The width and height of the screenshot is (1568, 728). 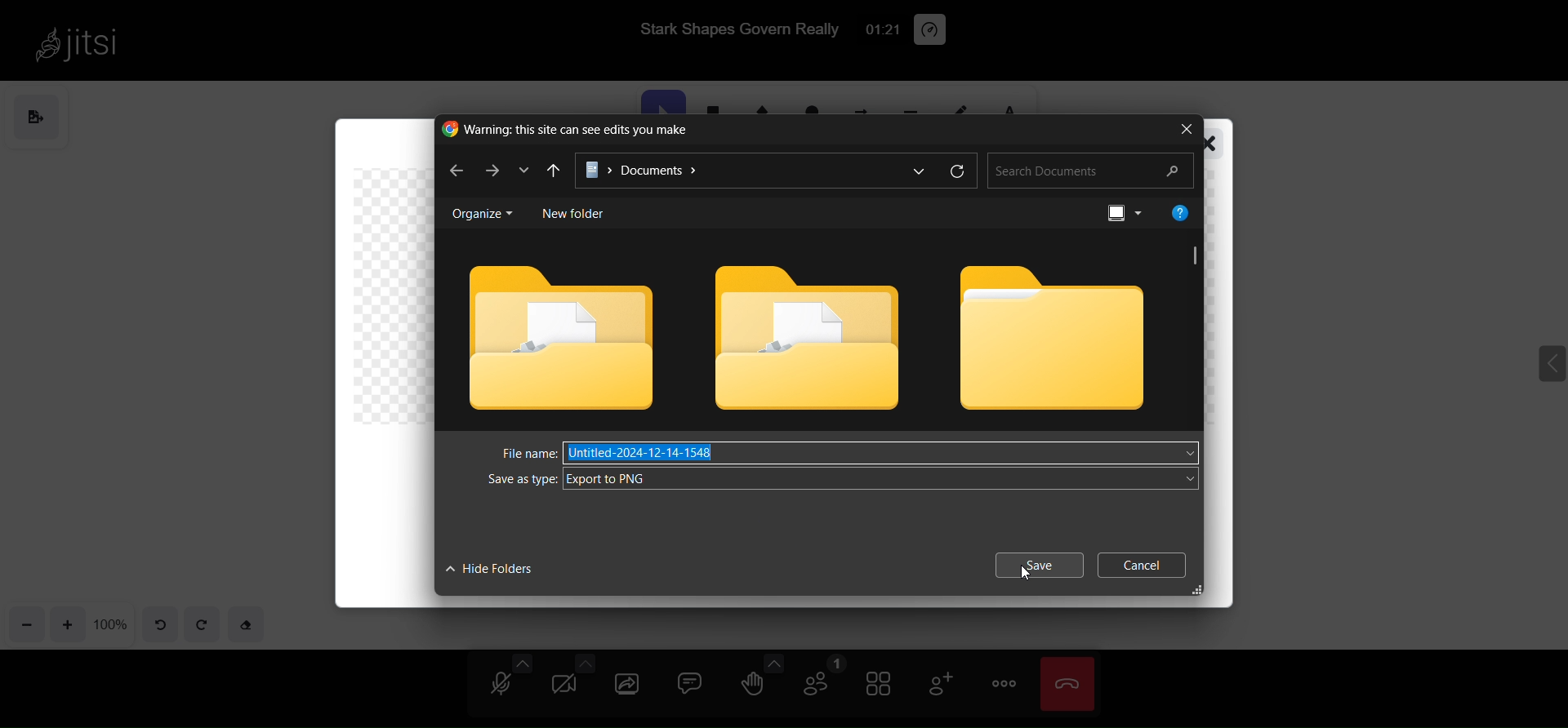 I want to click on preview, so click(x=1125, y=215).